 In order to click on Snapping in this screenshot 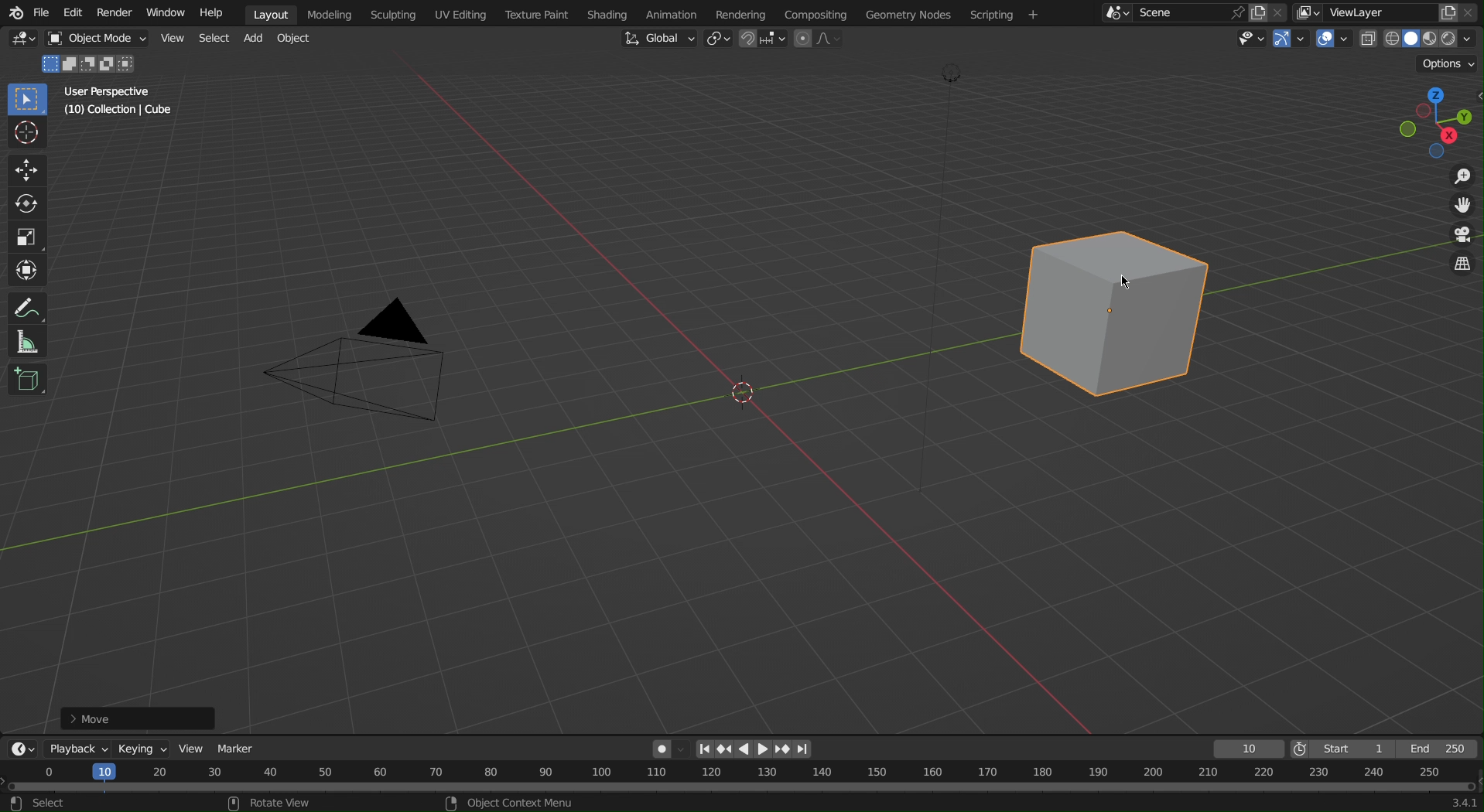, I will do `click(764, 39)`.